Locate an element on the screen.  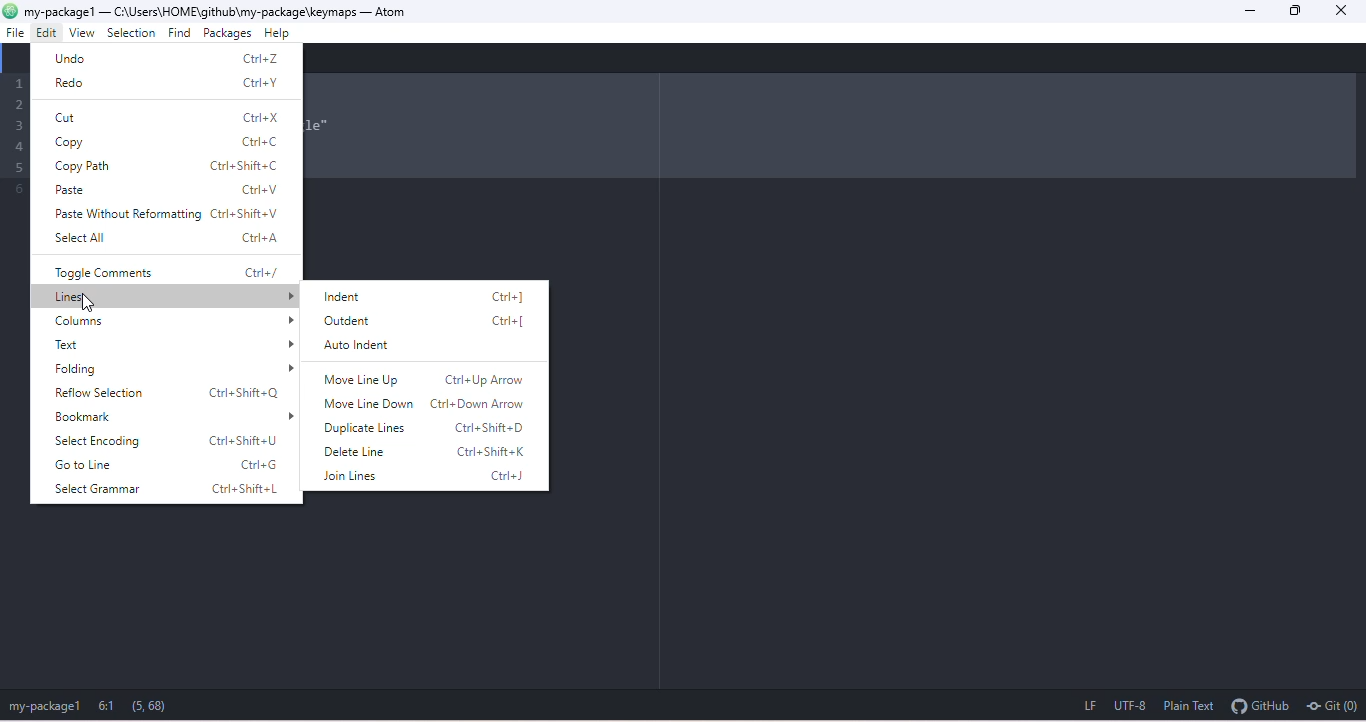
move line down is located at coordinates (430, 403).